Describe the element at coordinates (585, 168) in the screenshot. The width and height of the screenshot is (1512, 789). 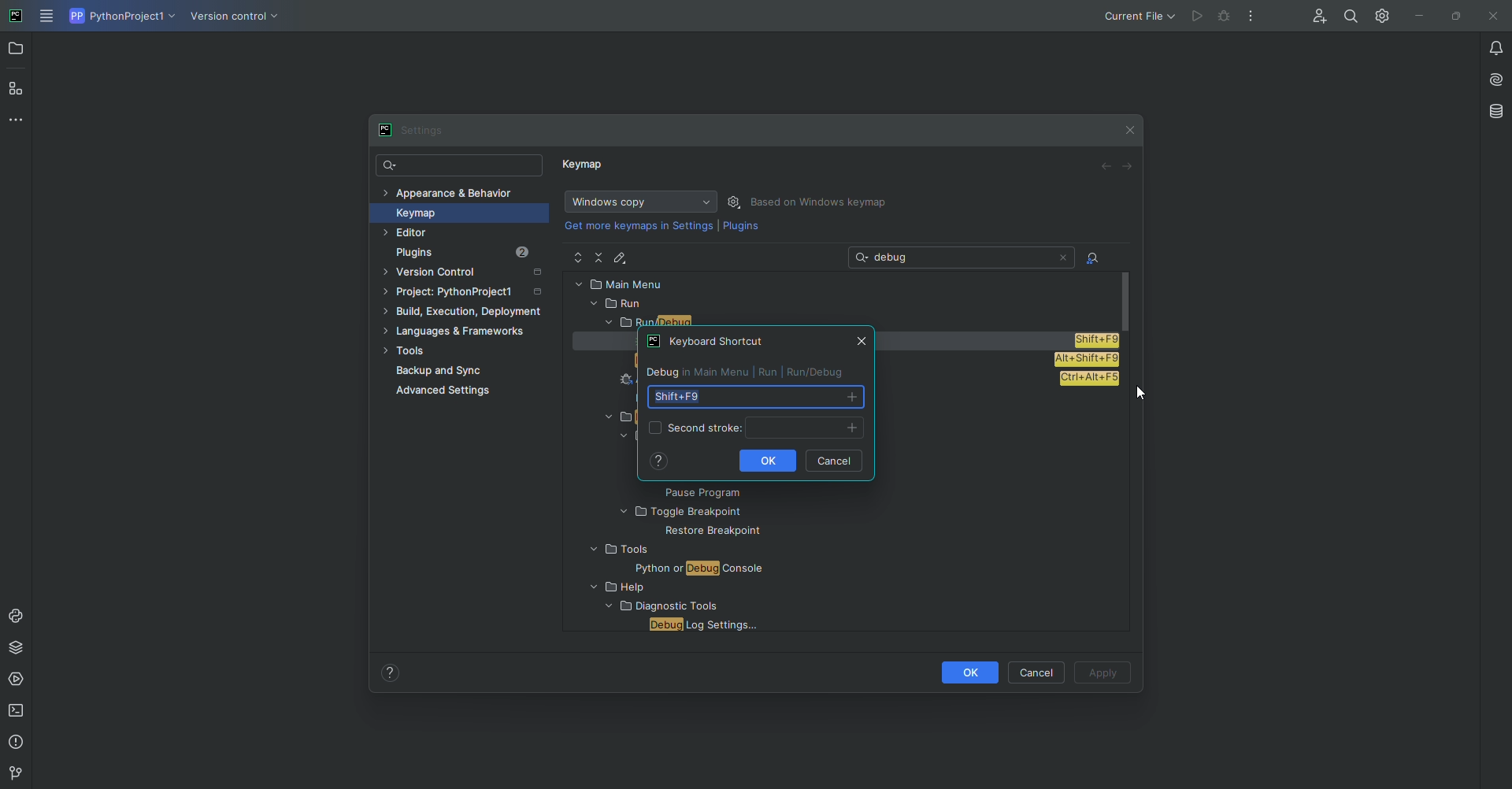
I see `Keymap` at that location.